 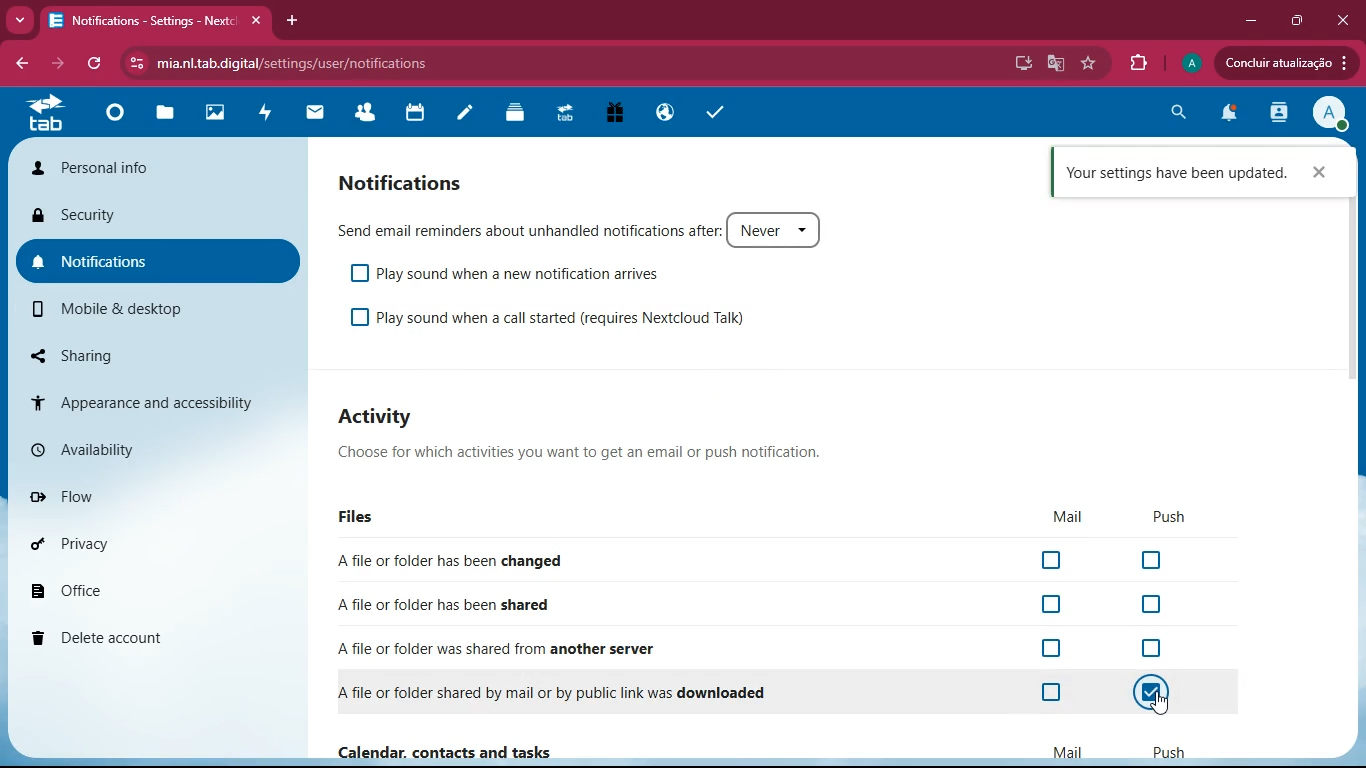 What do you see at coordinates (1174, 115) in the screenshot?
I see `search` at bounding box center [1174, 115].